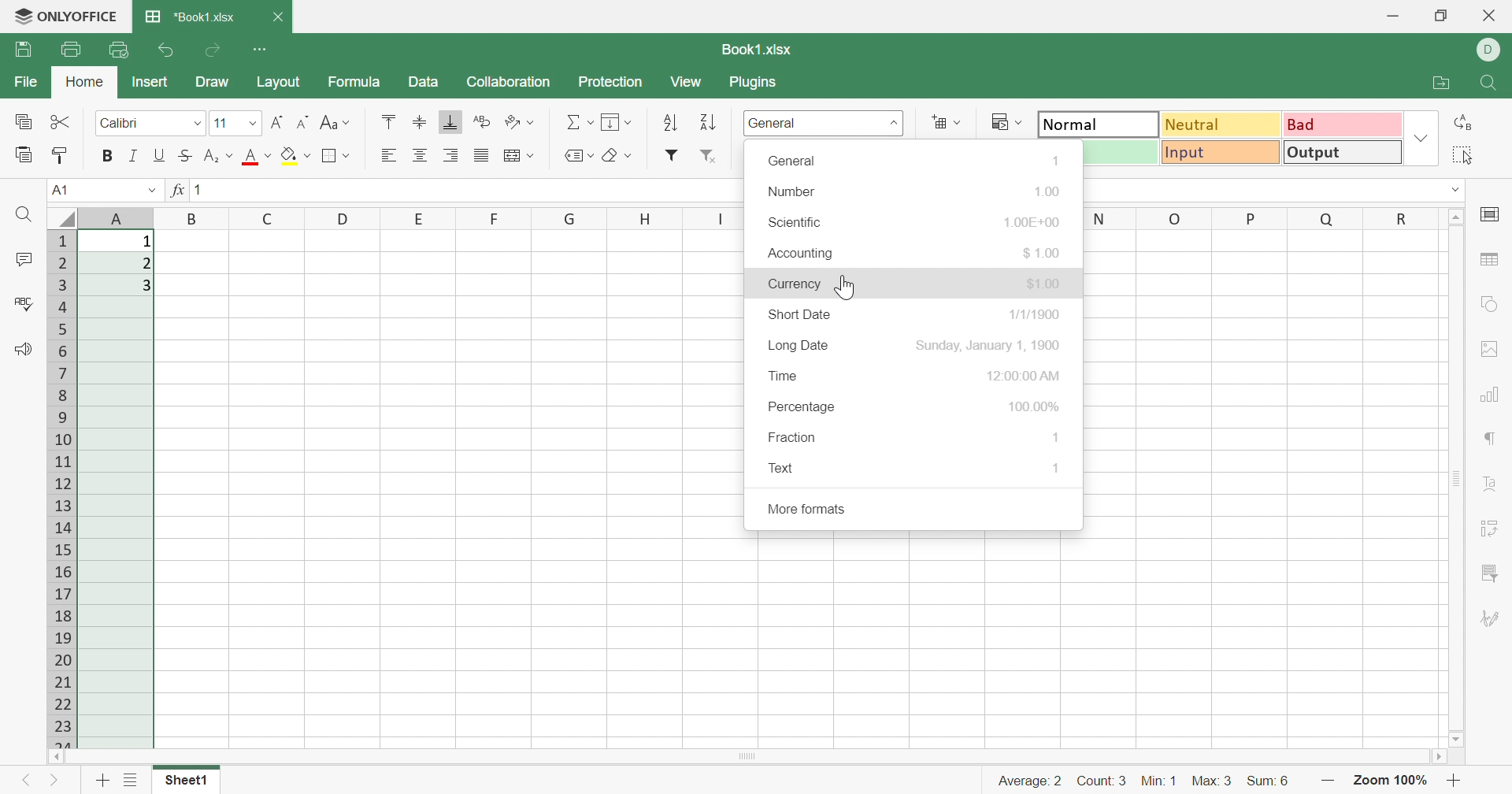  Describe the element at coordinates (1488, 573) in the screenshot. I see `Slicer settings` at that location.